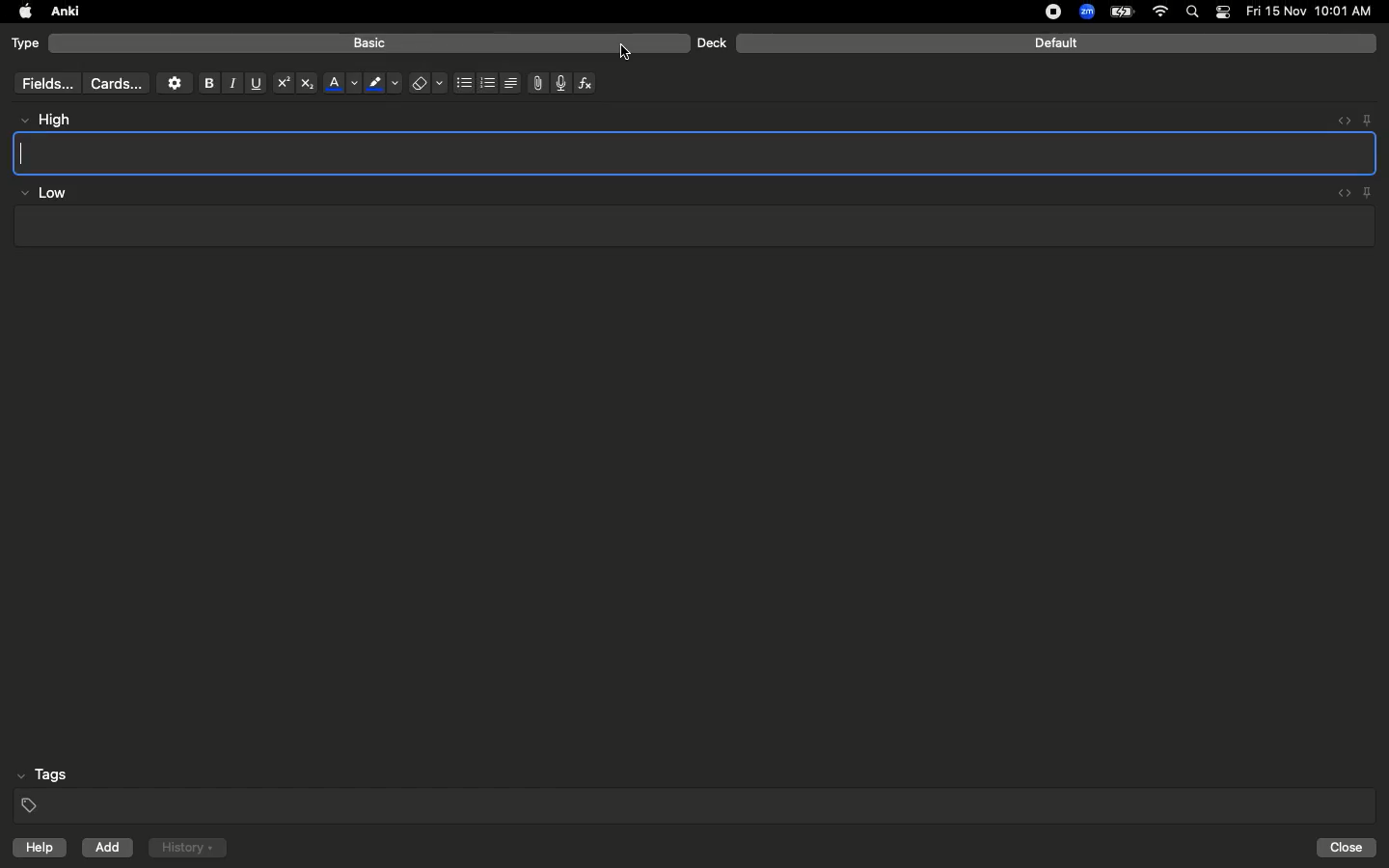  Describe the element at coordinates (1367, 119) in the screenshot. I see `Pin` at that location.